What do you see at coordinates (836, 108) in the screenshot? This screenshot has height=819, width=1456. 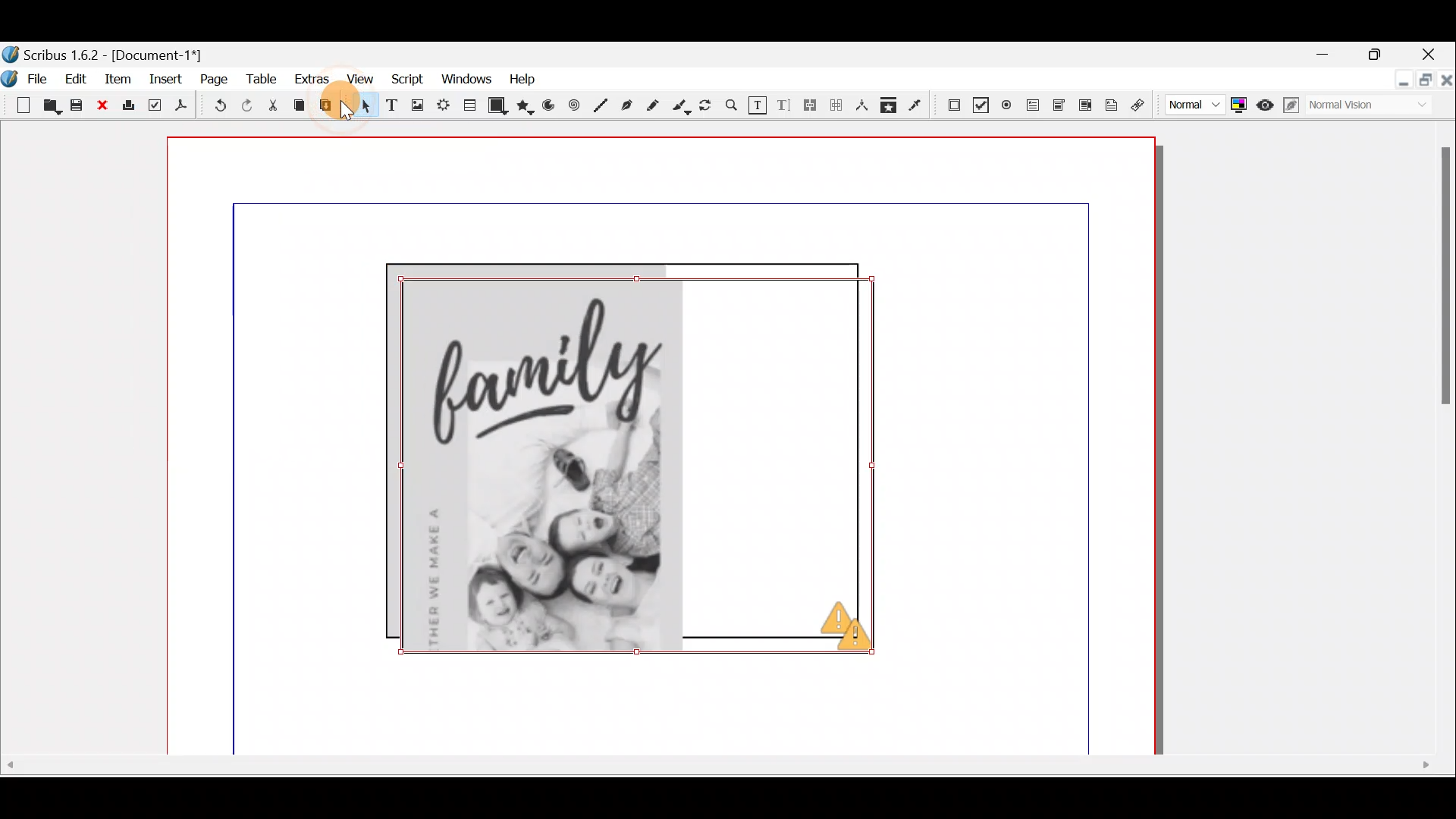 I see `Unlink text frames` at bounding box center [836, 108].